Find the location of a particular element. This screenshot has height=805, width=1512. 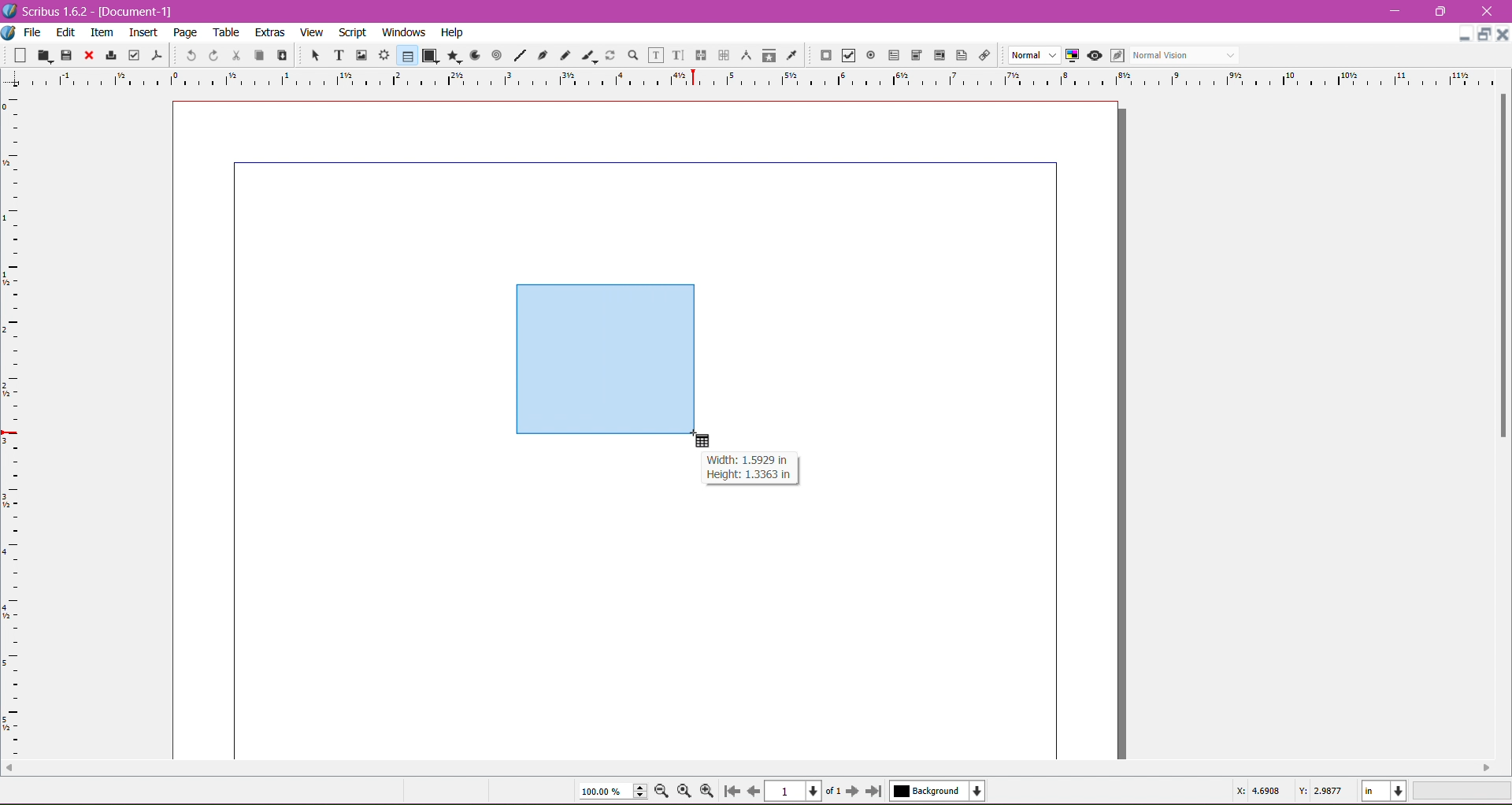

Cut is located at coordinates (233, 54).